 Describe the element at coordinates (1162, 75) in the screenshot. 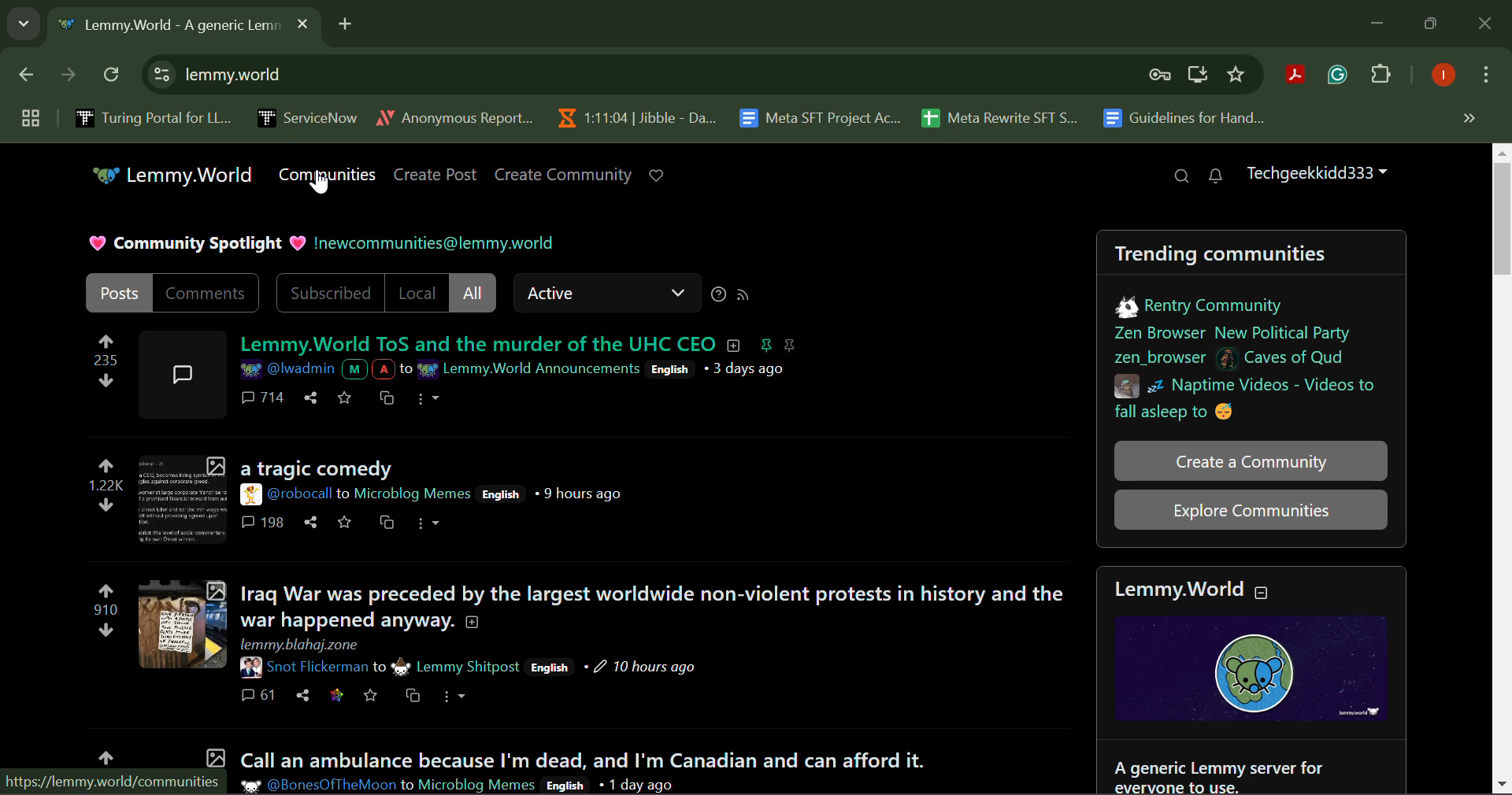

I see `Verify Security ` at that location.